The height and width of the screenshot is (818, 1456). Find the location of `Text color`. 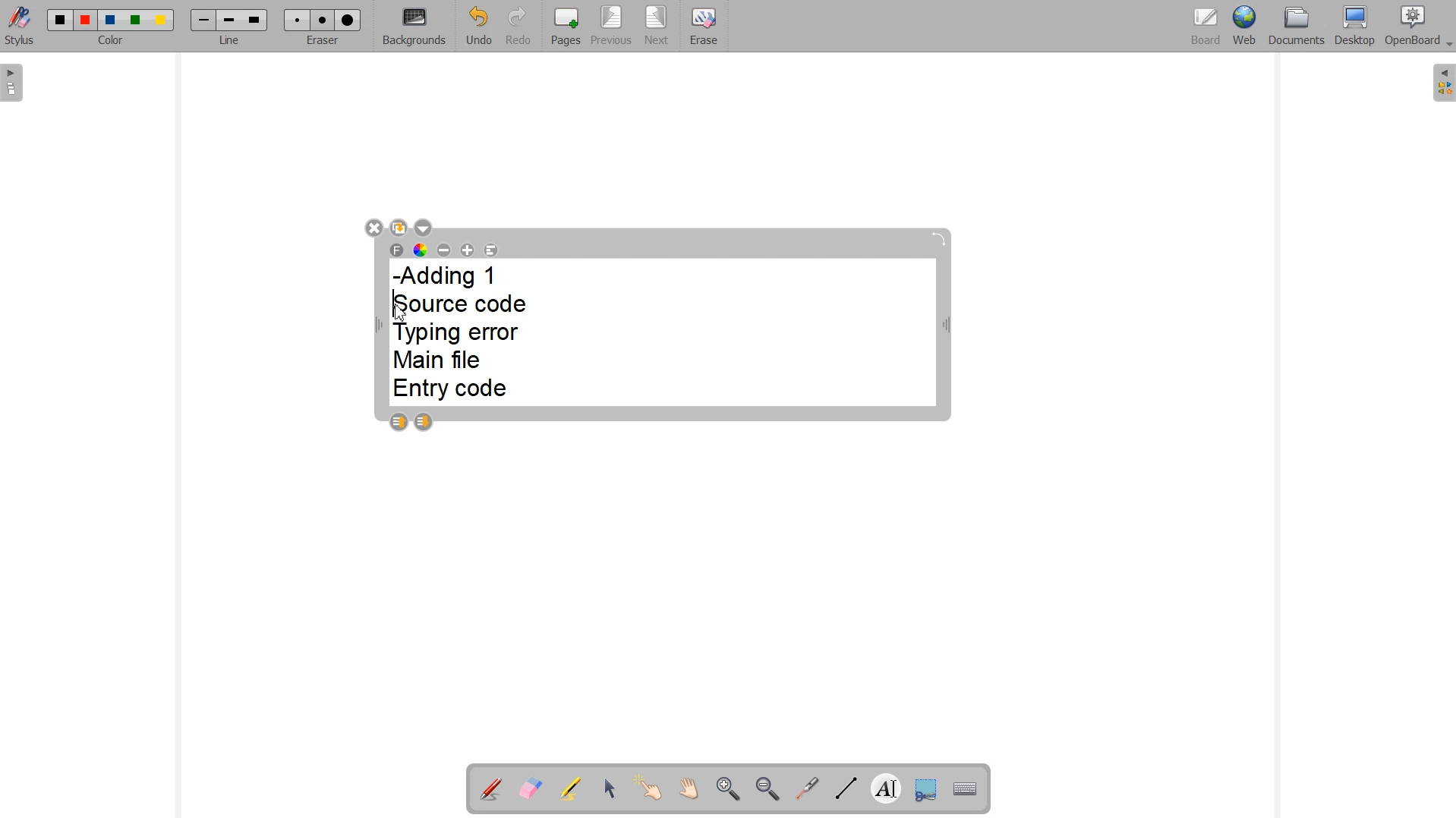

Text color is located at coordinates (421, 250).